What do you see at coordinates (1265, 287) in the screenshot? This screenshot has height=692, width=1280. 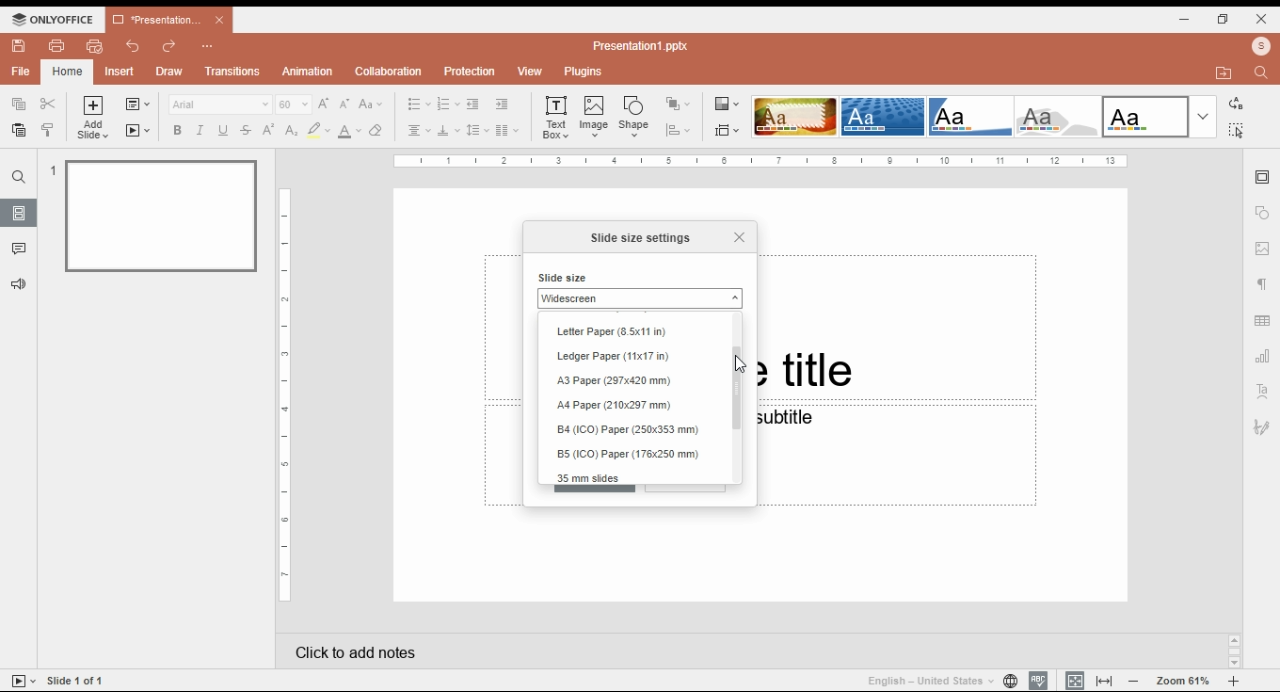 I see `paragraph settings` at bounding box center [1265, 287].